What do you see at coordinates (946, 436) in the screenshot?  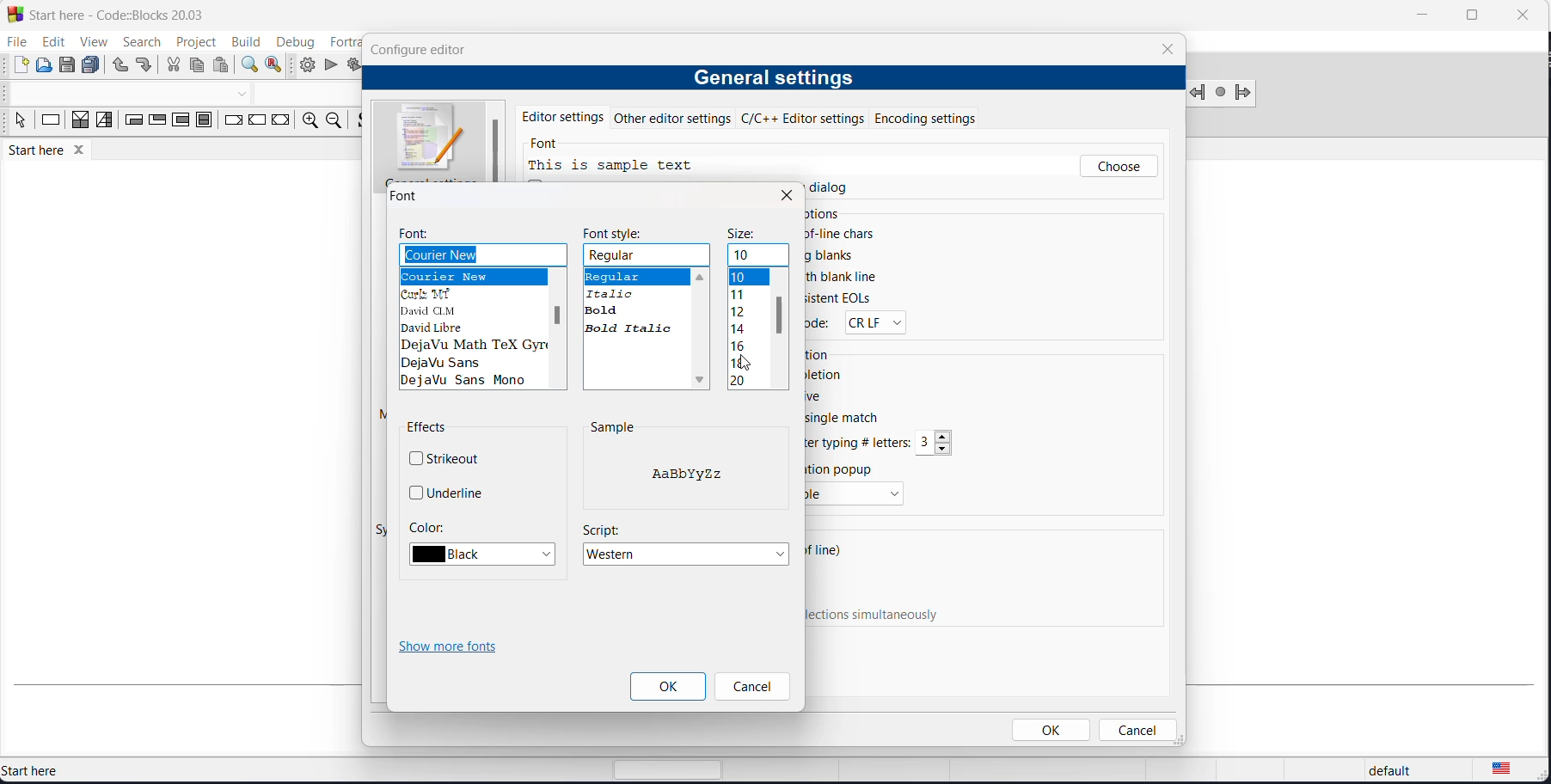 I see `increment ` at bounding box center [946, 436].